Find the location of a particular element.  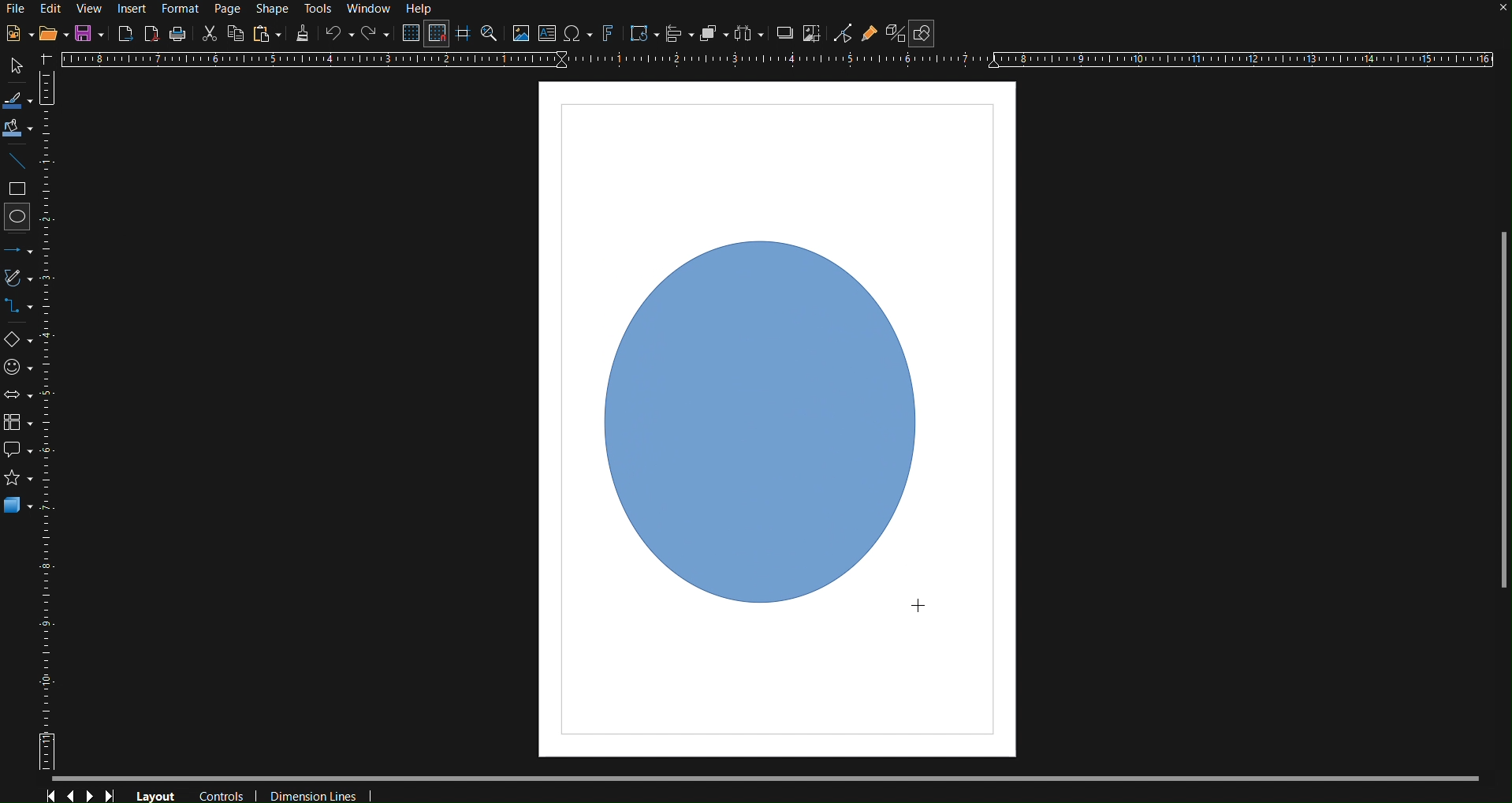

Shadow is located at coordinates (781, 35).